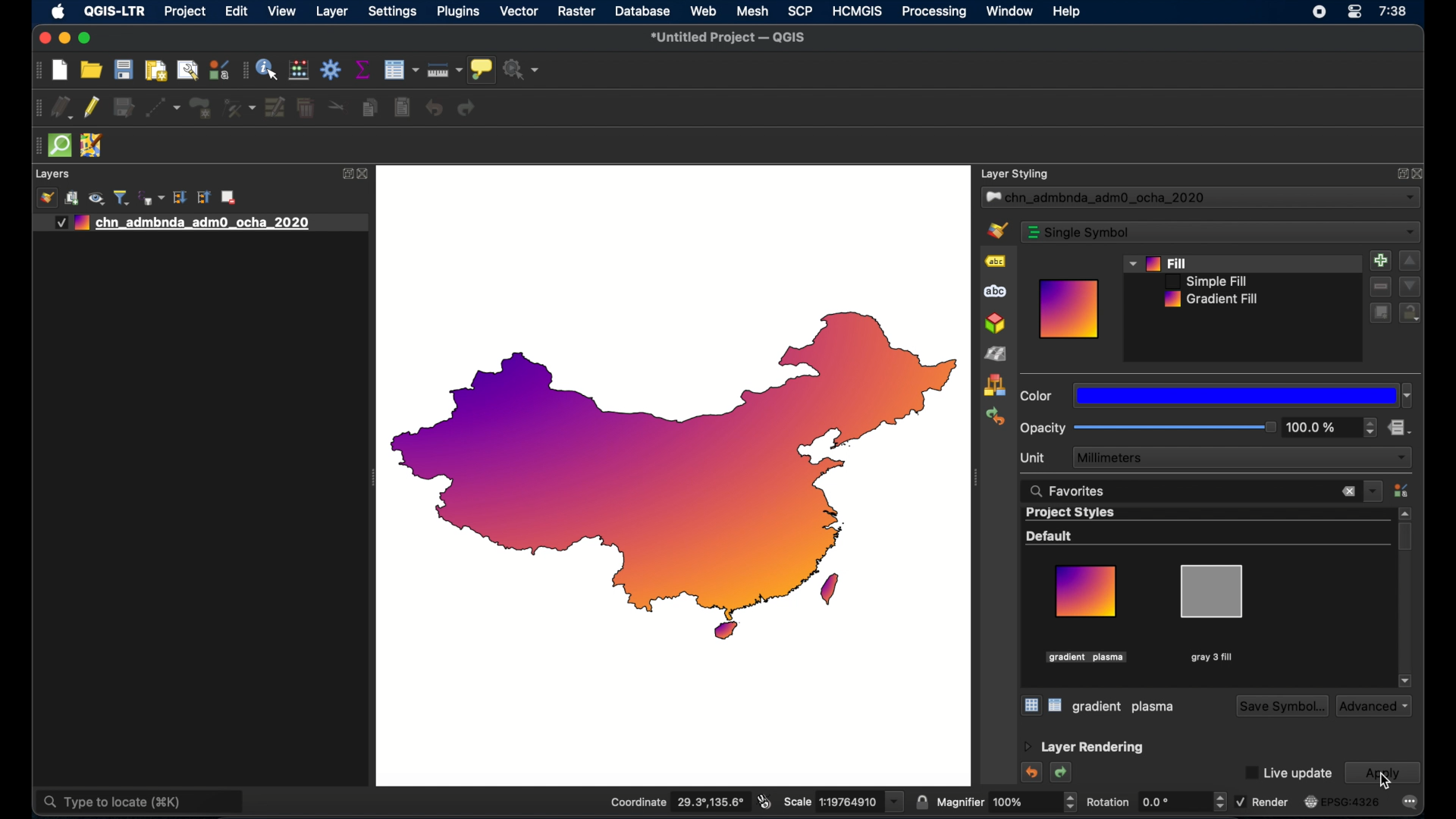  What do you see at coordinates (842, 801) in the screenshot?
I see `scale` at bounding box center [842, 801].